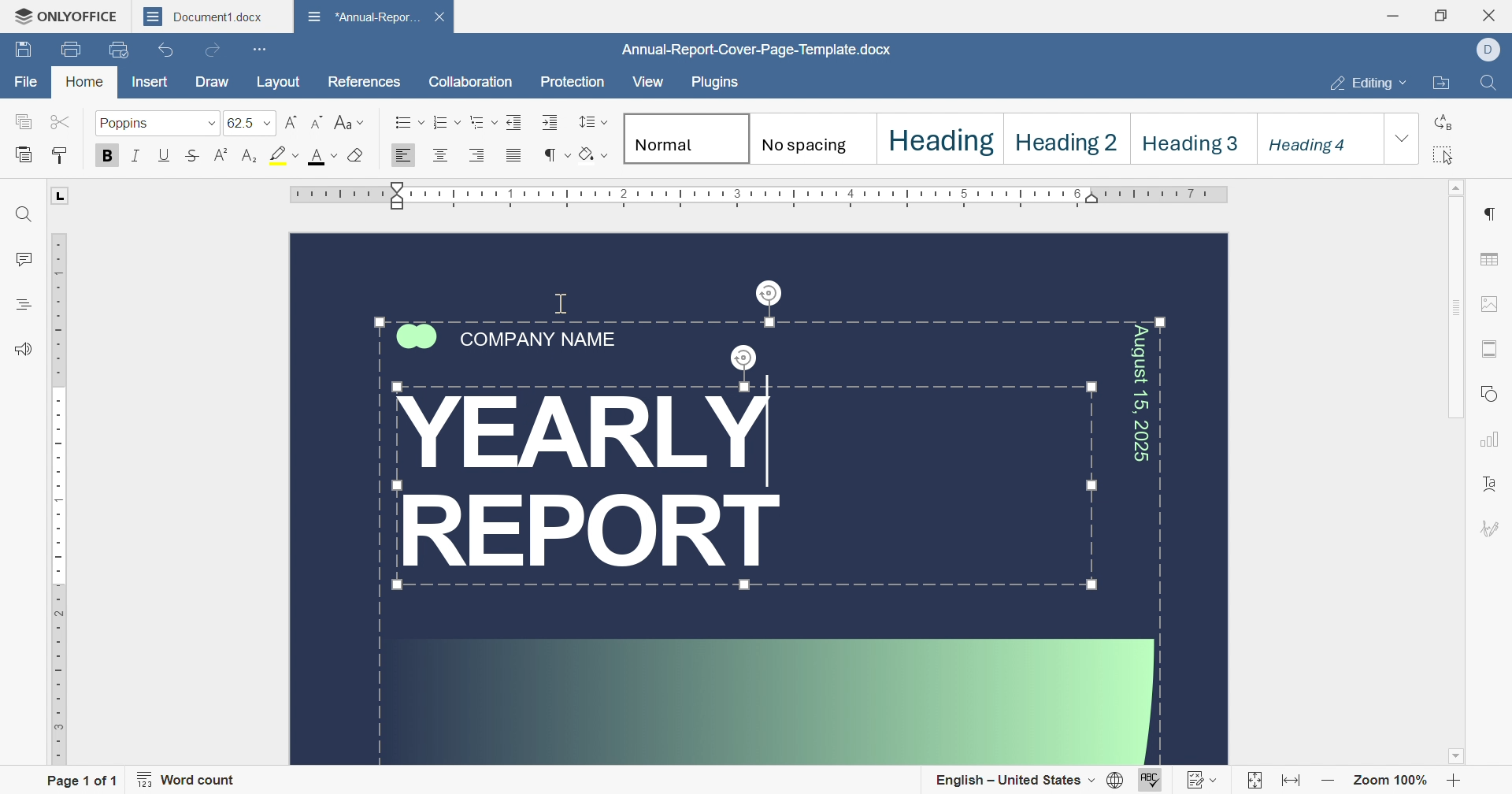  What do you see at coordinates (1492, 529) in the screenshot?
I see `signature settings` at bounding box center [1492, 529].